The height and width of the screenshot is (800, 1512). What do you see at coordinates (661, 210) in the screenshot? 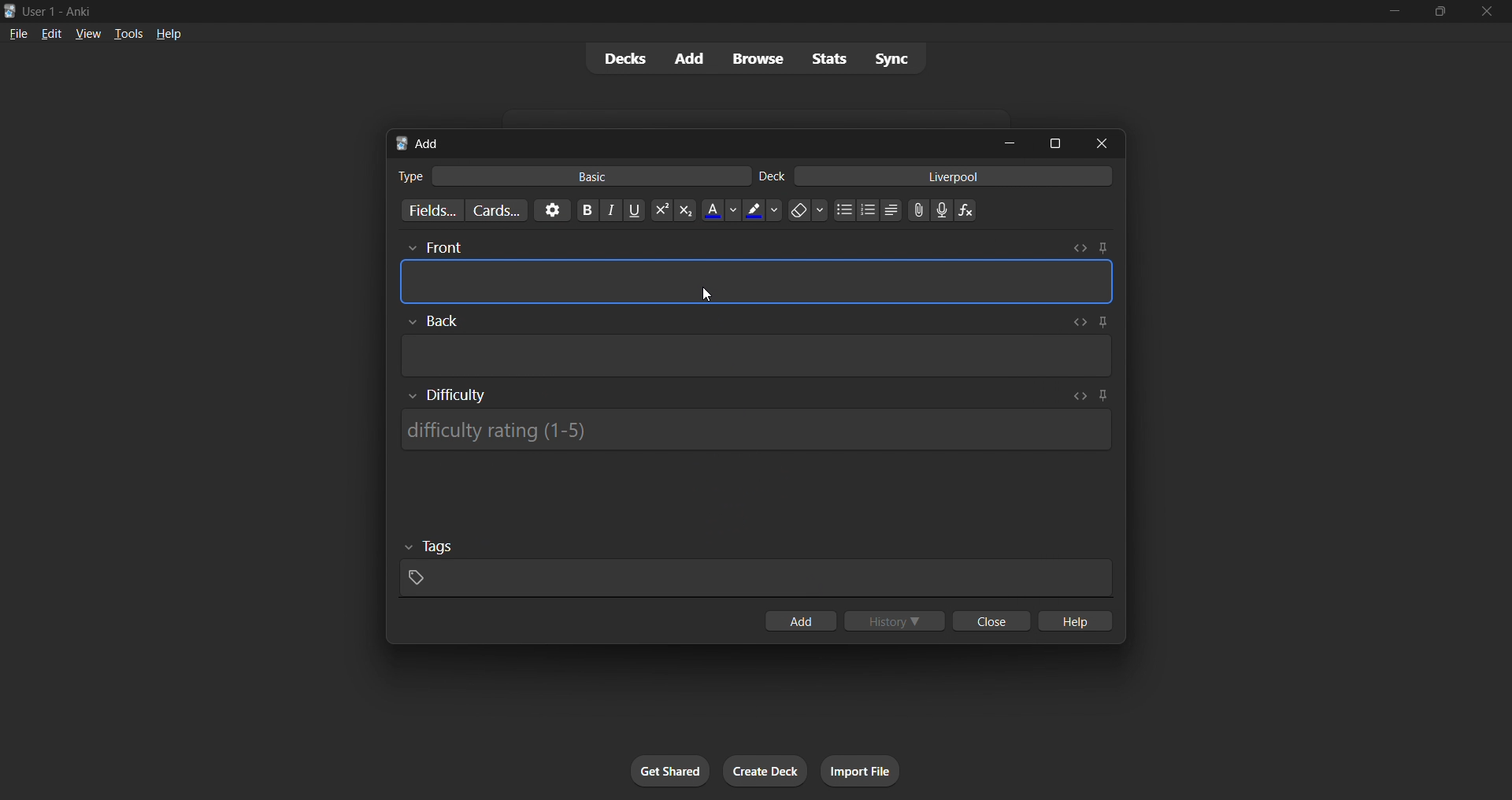
I see `Superscript` at bounding box center [661, 210].